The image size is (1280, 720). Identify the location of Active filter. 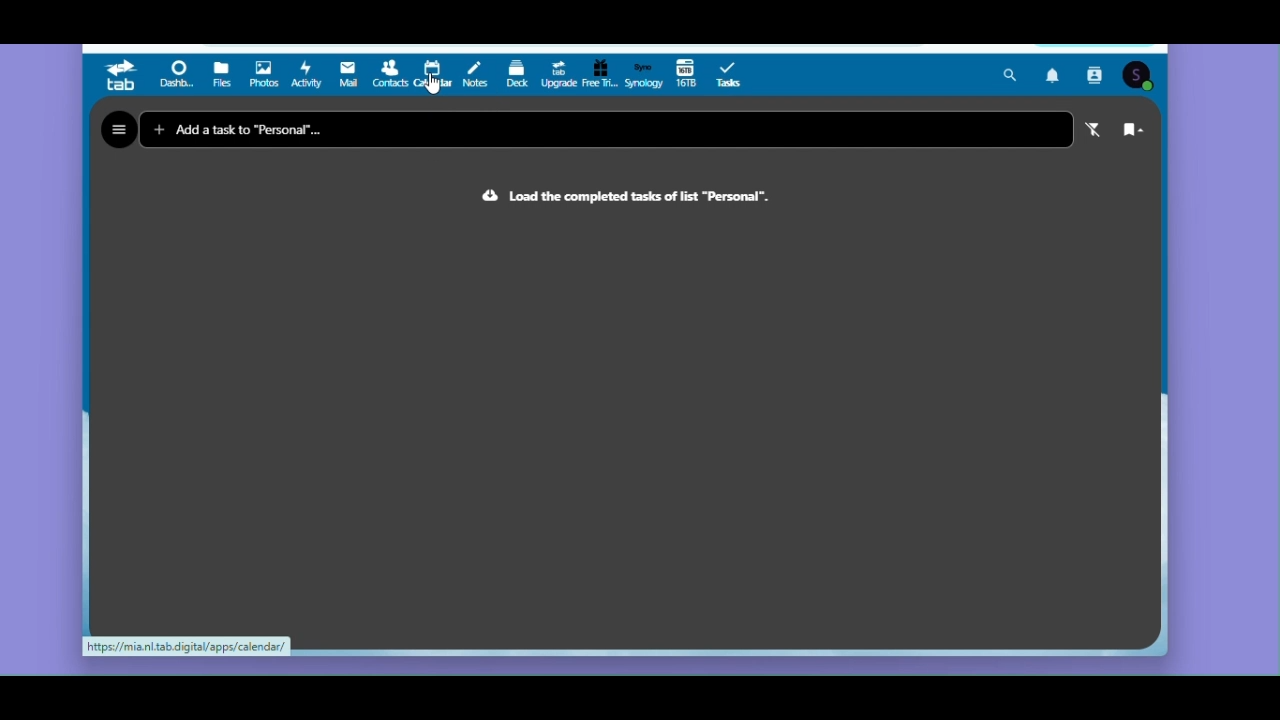
(1089, 131).